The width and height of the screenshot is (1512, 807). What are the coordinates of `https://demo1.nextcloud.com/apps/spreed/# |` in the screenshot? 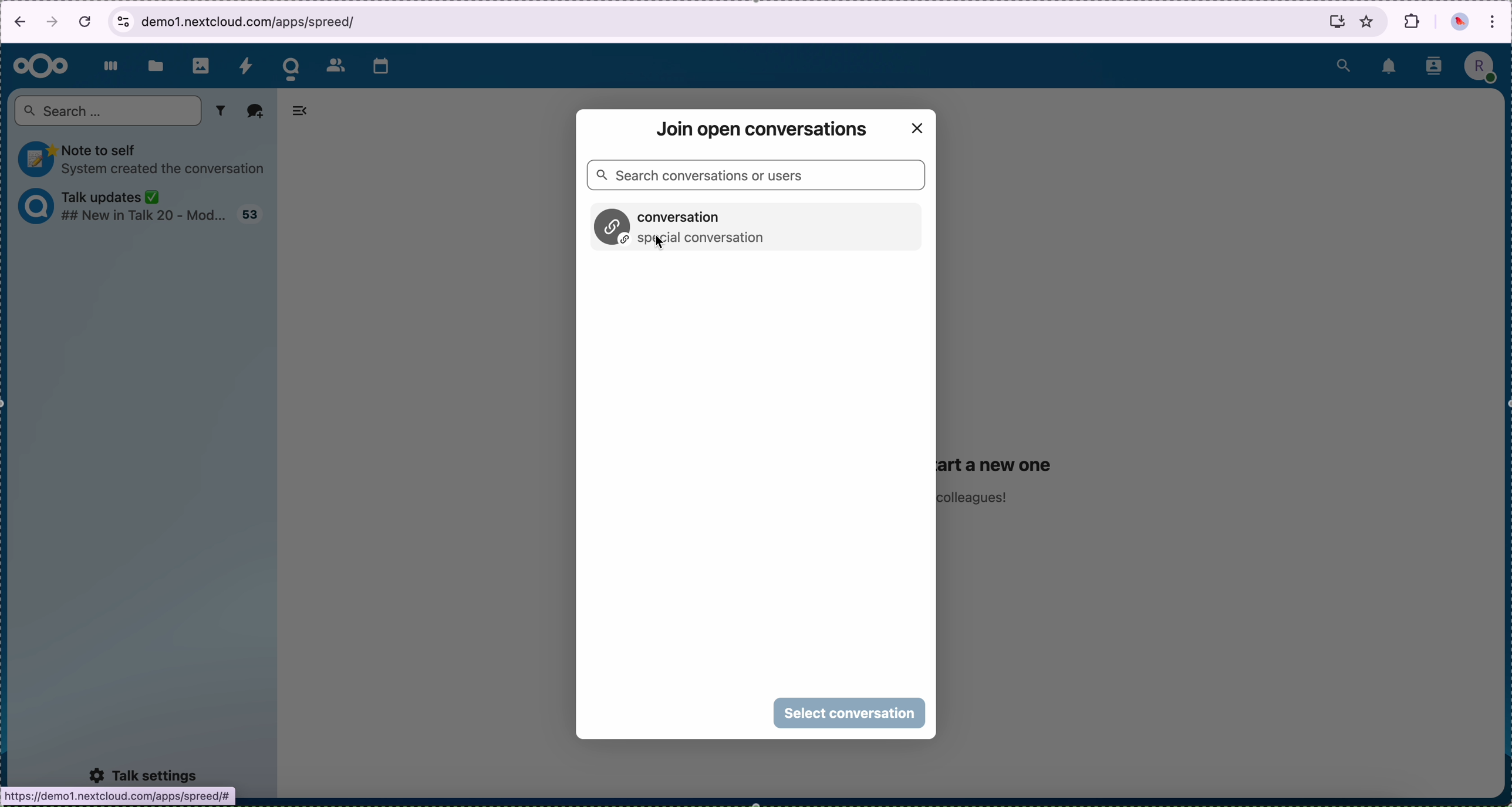 It's located at (122, 796).